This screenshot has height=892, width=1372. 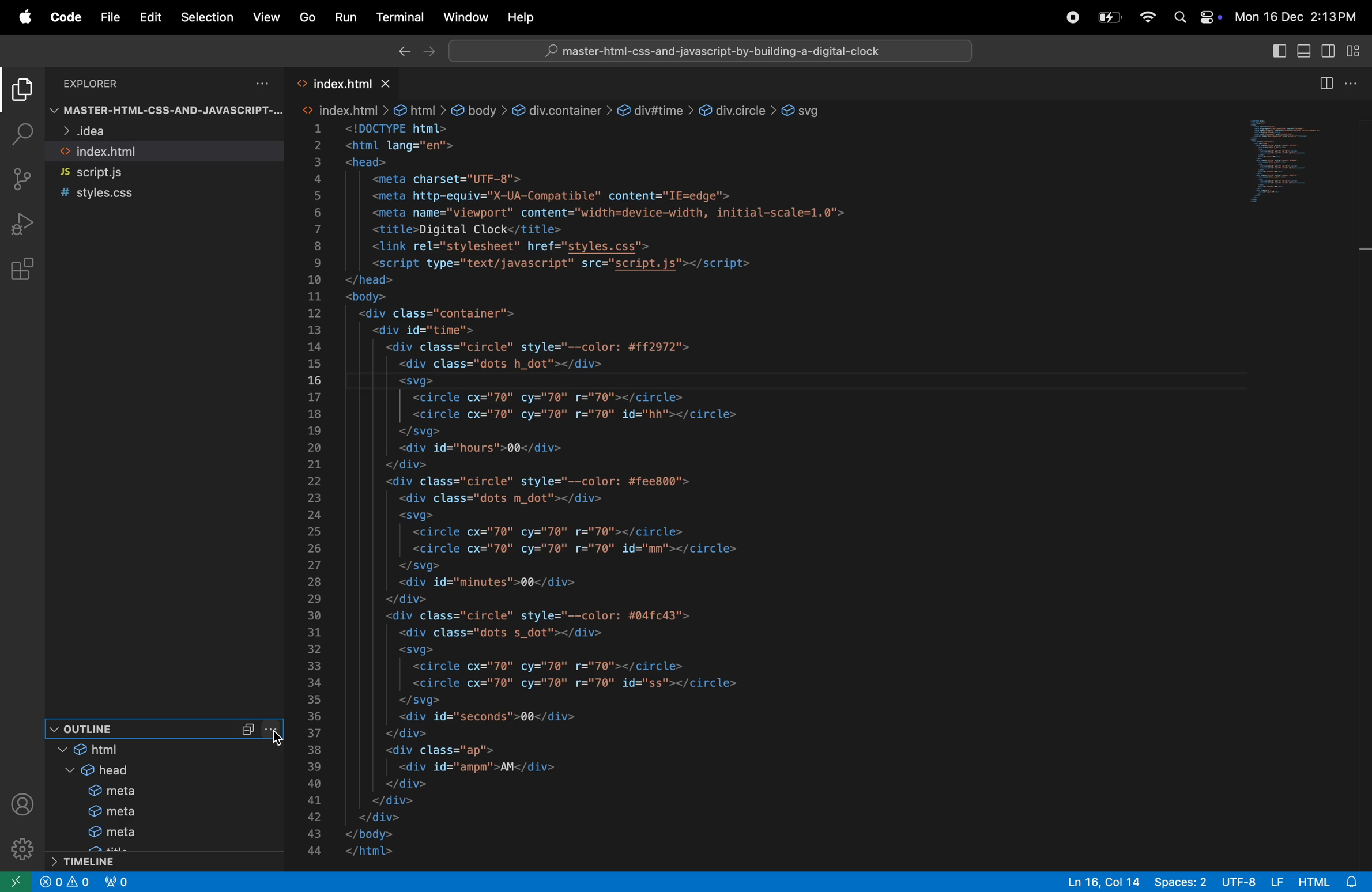 What do you see at coordinates (420, 110) in the screenshot?
I see `html` at bounding box center [420, 110].